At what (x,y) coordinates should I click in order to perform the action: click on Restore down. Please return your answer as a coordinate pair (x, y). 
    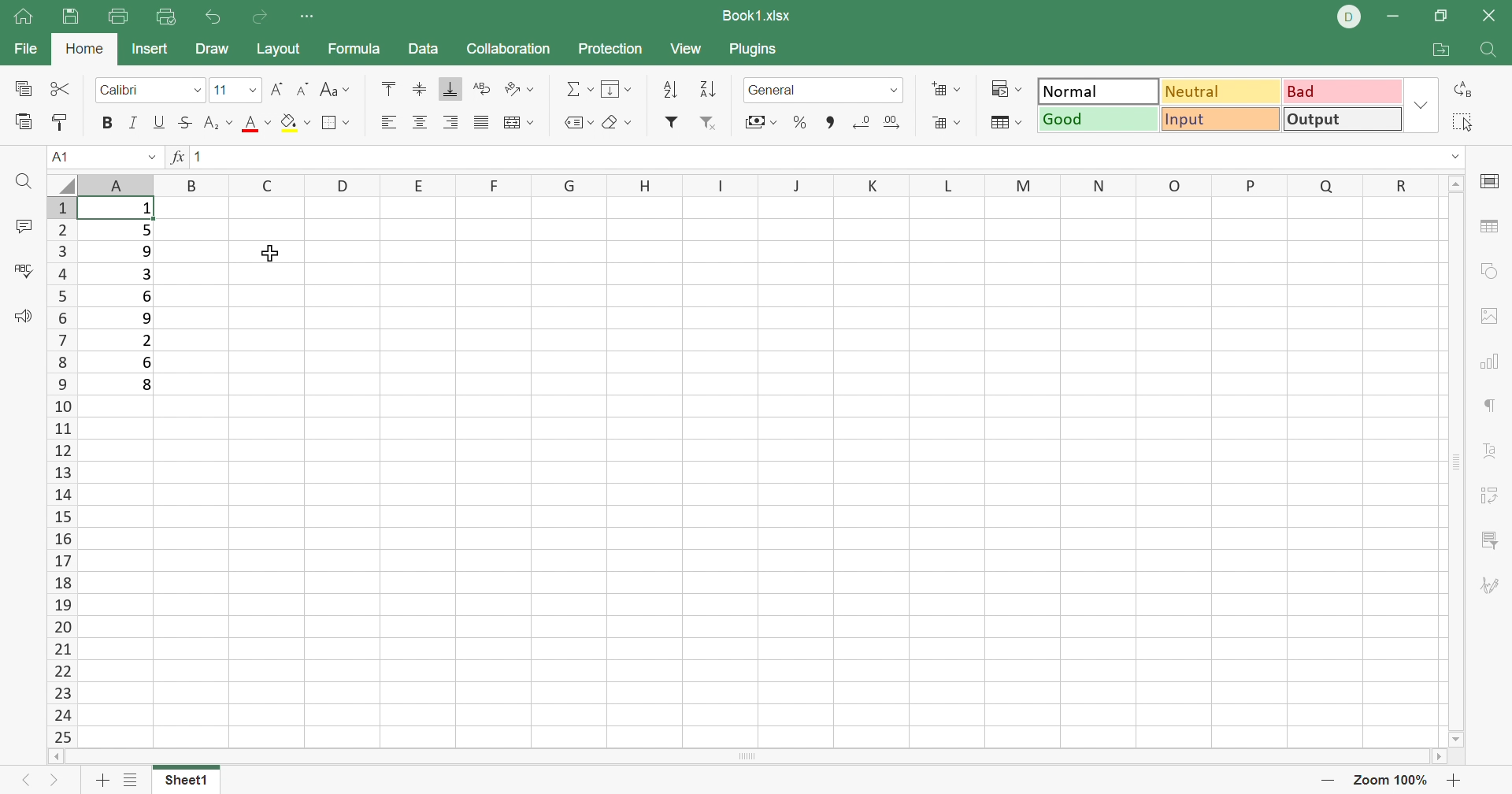
    Looking at the image, I should click on (1442, 17).